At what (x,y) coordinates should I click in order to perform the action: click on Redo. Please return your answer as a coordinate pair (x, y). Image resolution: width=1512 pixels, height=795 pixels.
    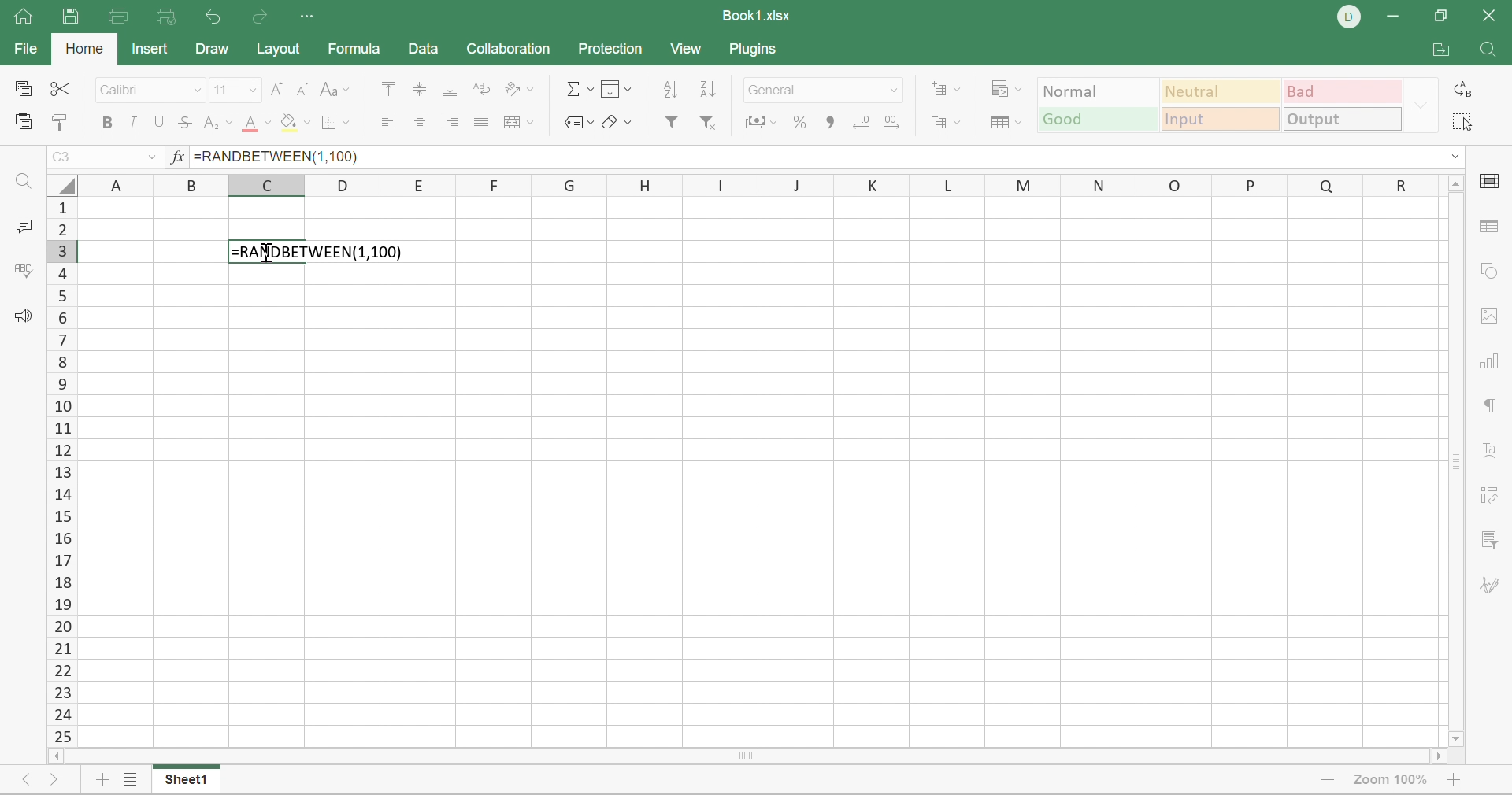
    Looking at the image, I should click on (258, 19).